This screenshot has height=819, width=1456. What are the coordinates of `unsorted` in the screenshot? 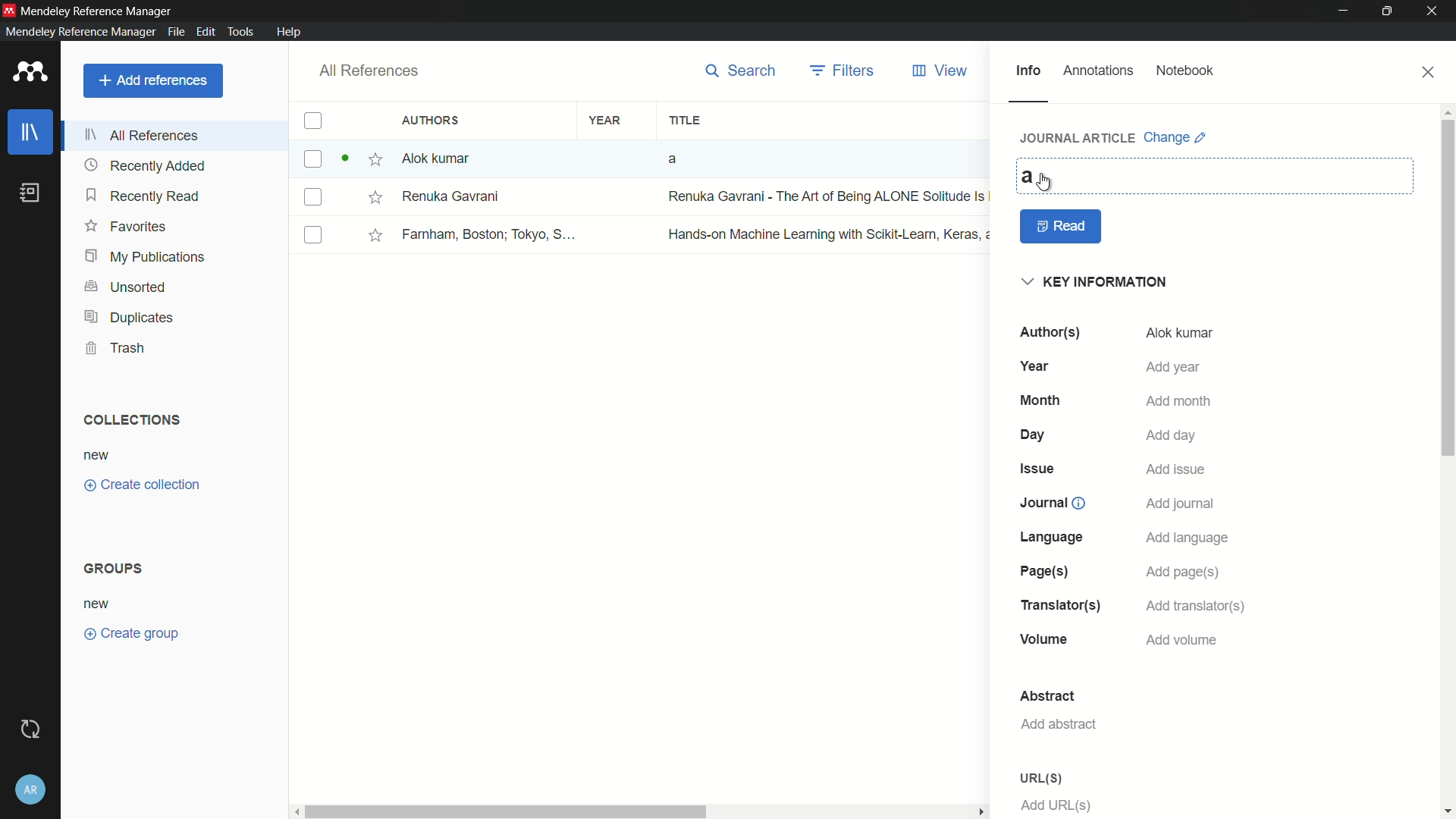 It's located at (127, 288).